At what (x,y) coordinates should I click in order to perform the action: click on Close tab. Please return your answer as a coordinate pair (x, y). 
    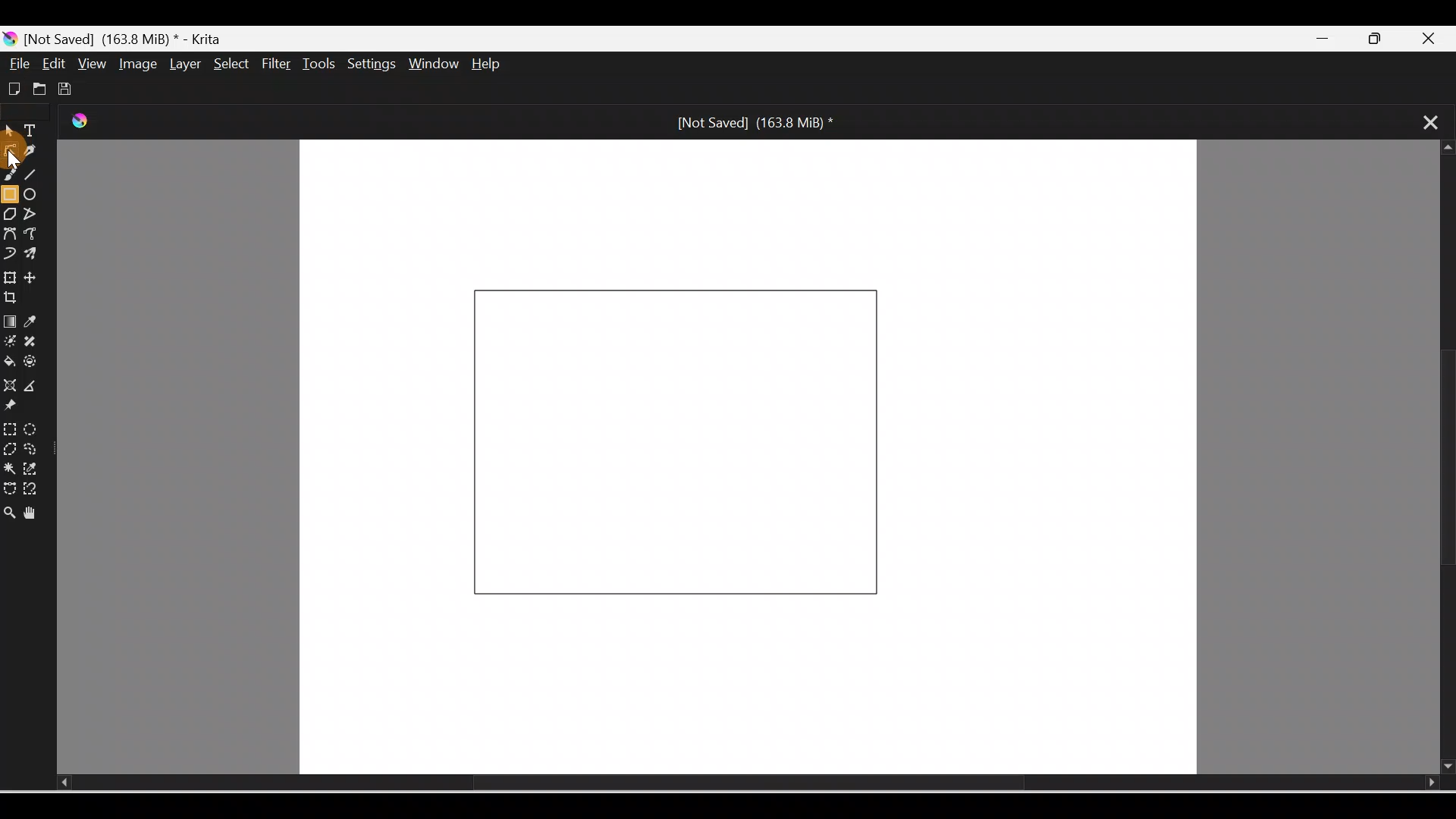
    Looking at the image, I should click on (1423, 121).